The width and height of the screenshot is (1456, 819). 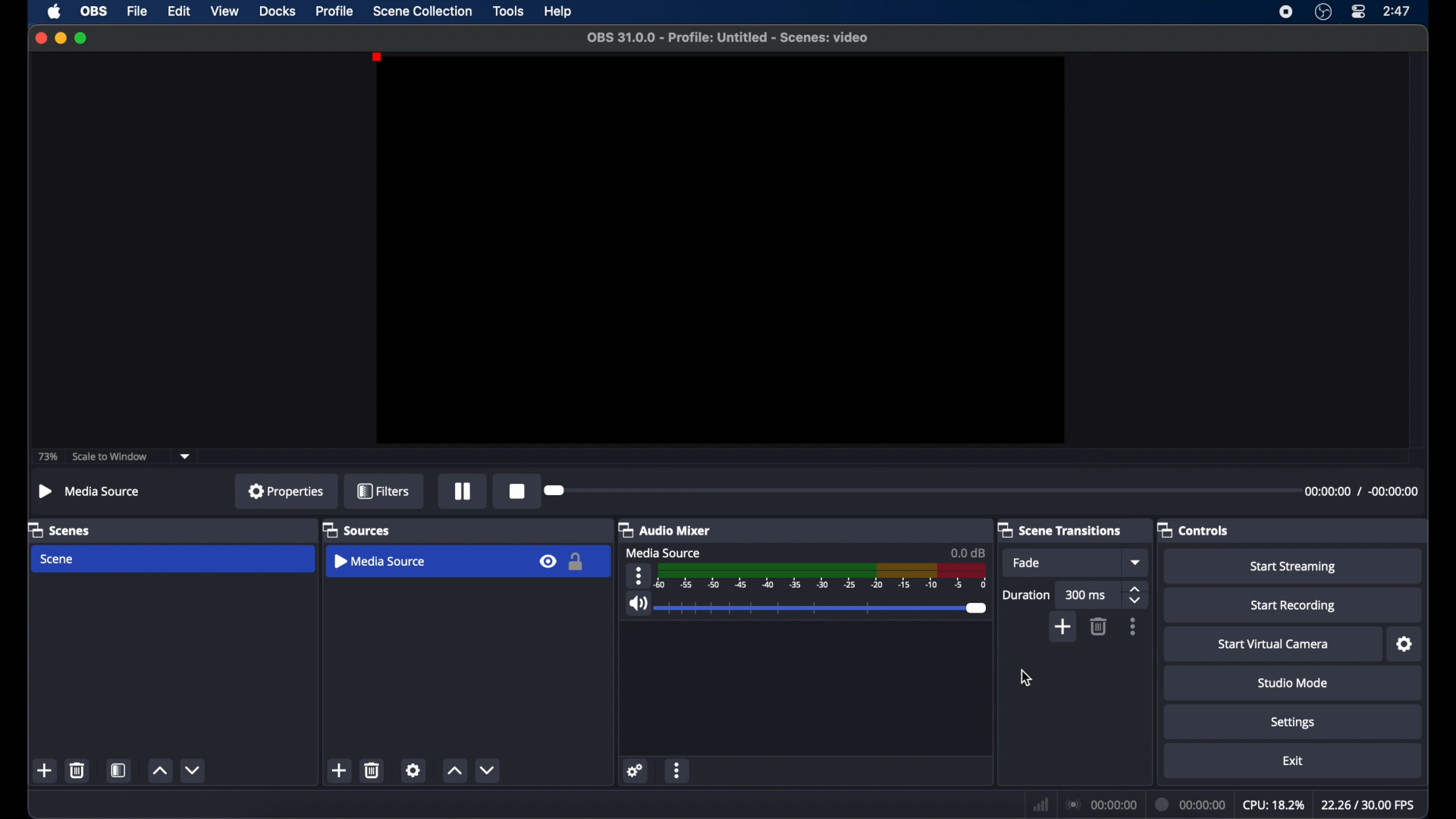 I want to click on delete, so click(x=1098, y=626).